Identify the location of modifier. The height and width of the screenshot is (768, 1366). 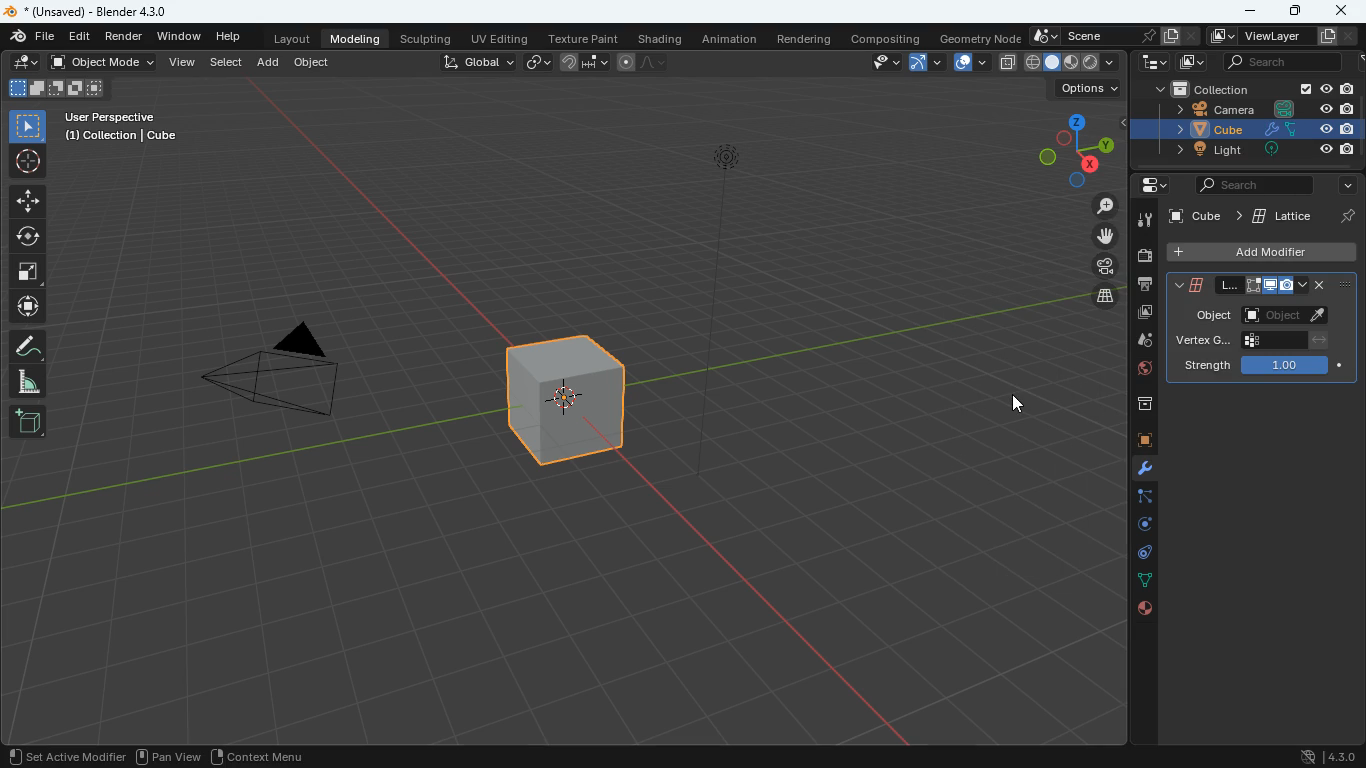
(102, 755).